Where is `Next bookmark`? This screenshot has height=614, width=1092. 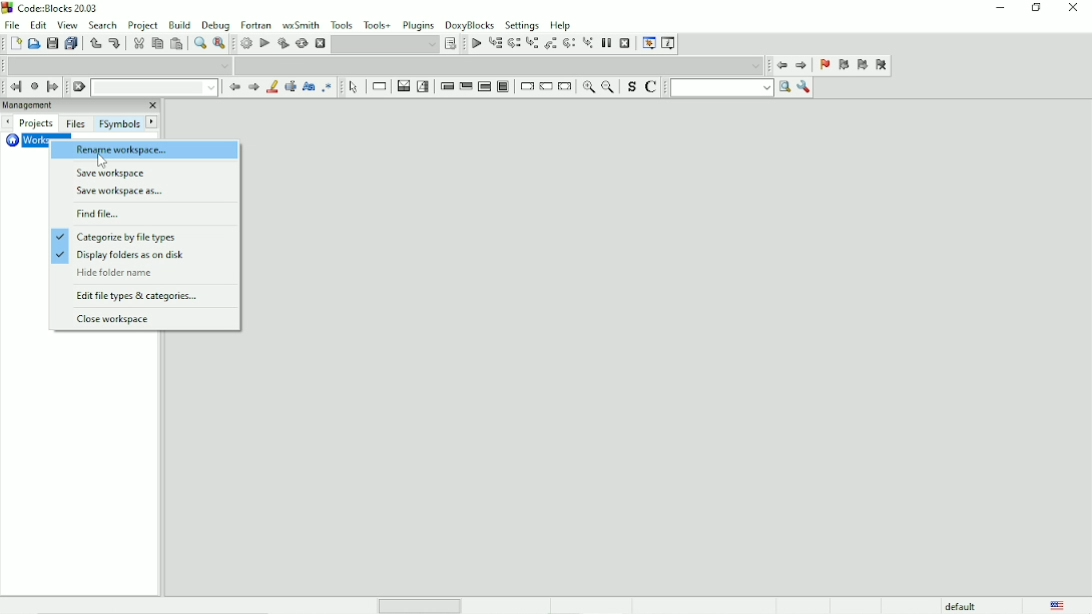
Next bookmark is located at coordinates (862, 66).